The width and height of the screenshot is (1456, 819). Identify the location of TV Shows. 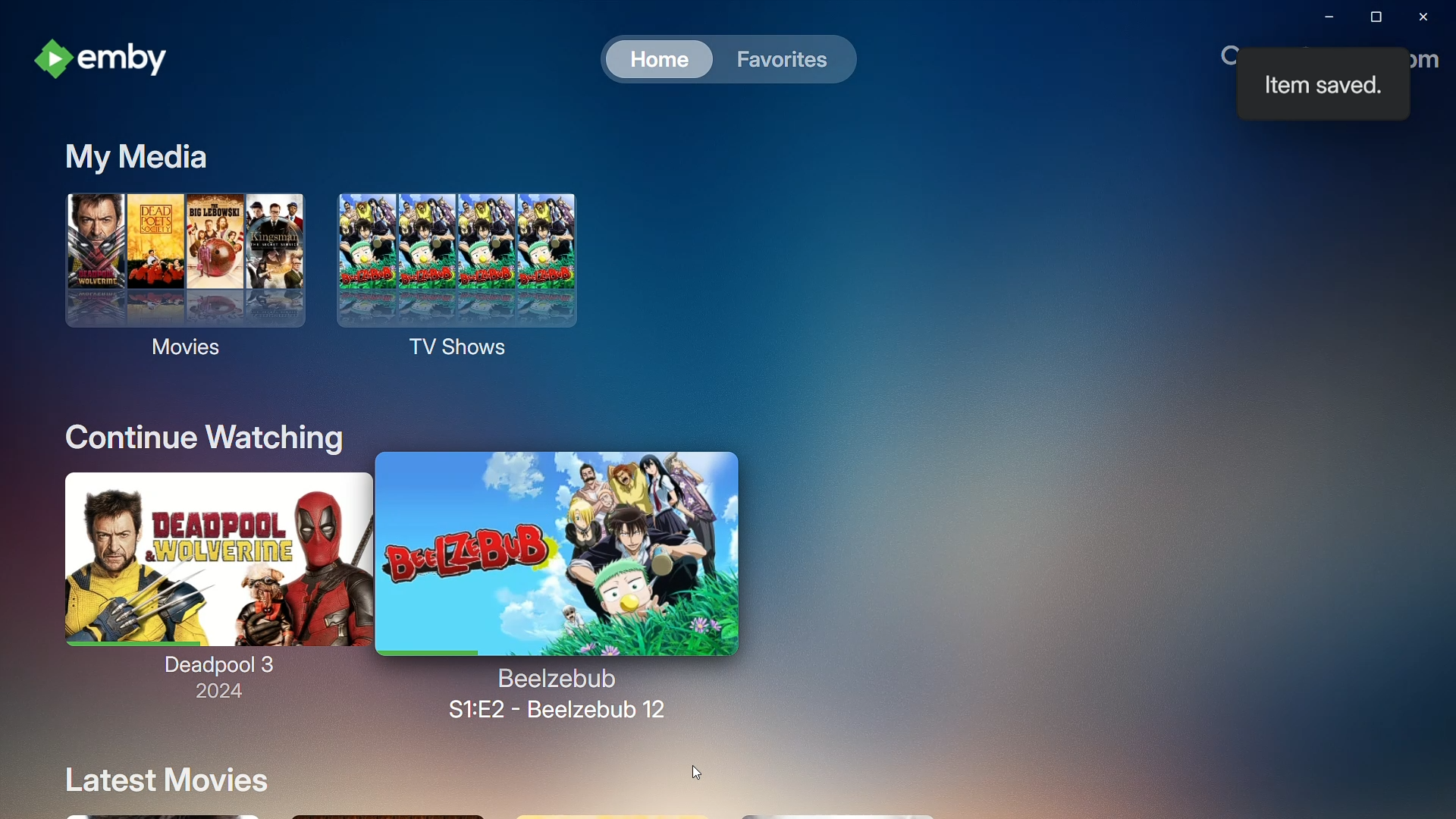
(480, 281).